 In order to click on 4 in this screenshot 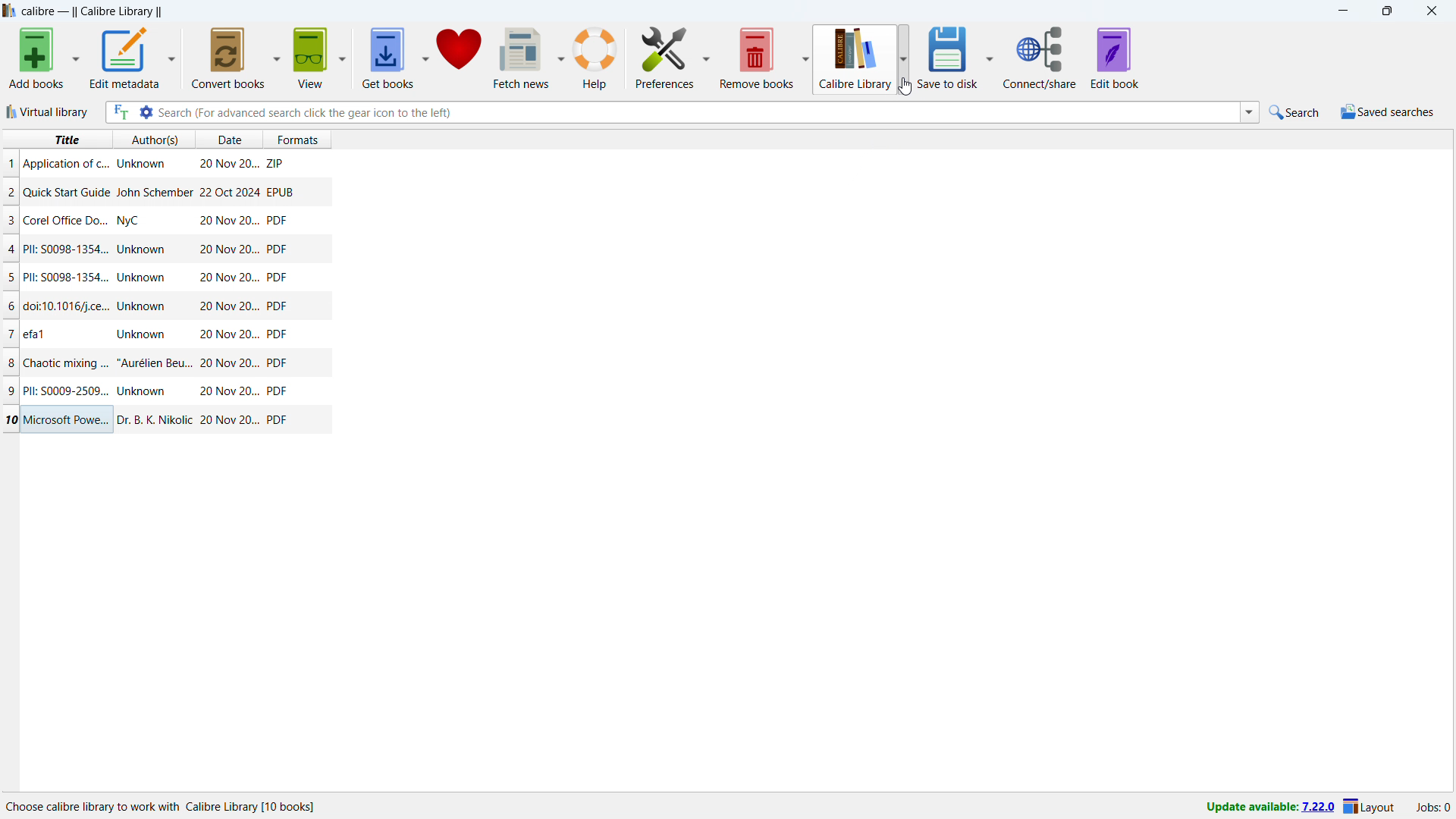, I will do `click(12, 249)`.